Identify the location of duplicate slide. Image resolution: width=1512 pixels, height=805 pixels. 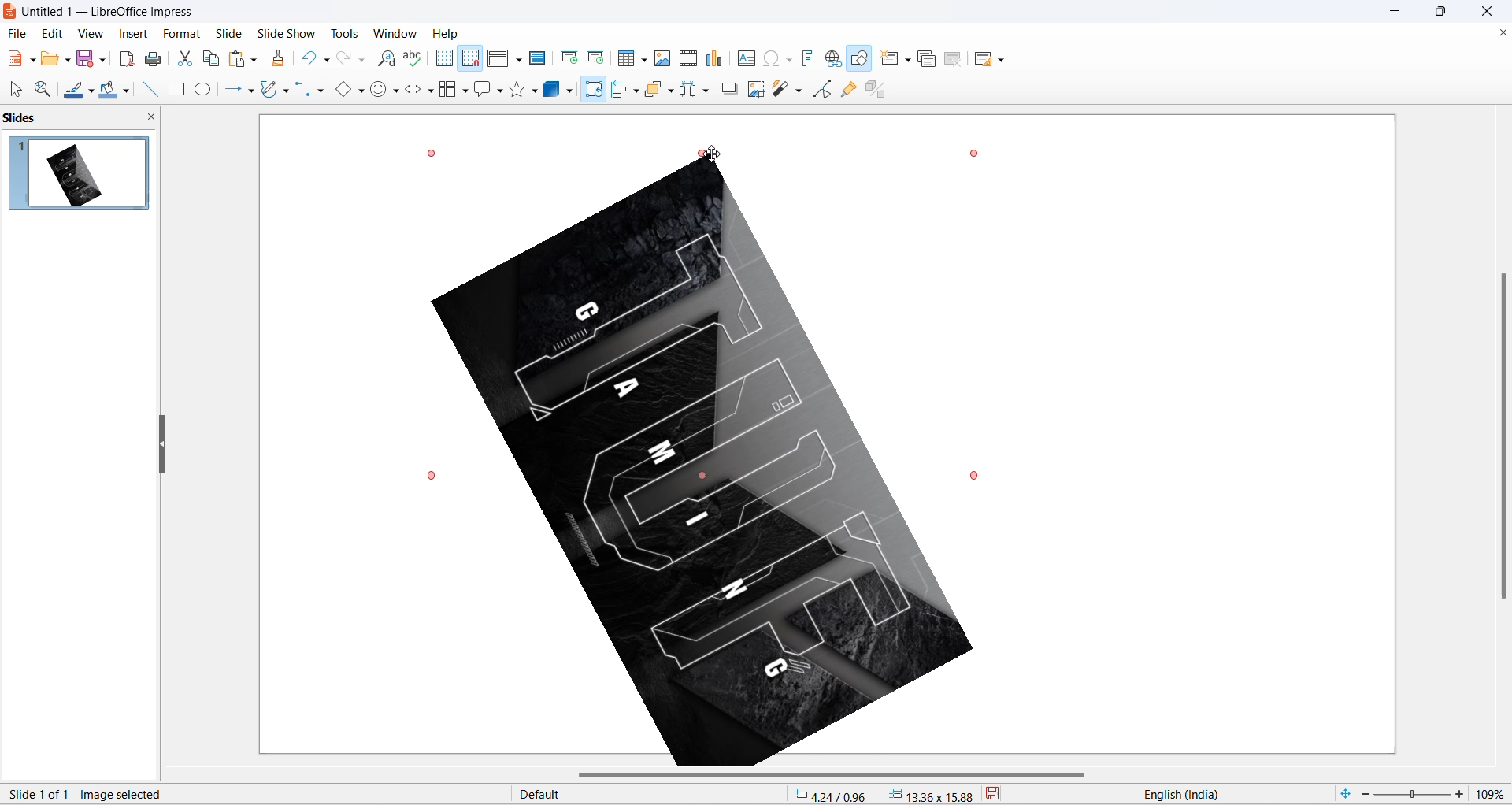
(927, 61).